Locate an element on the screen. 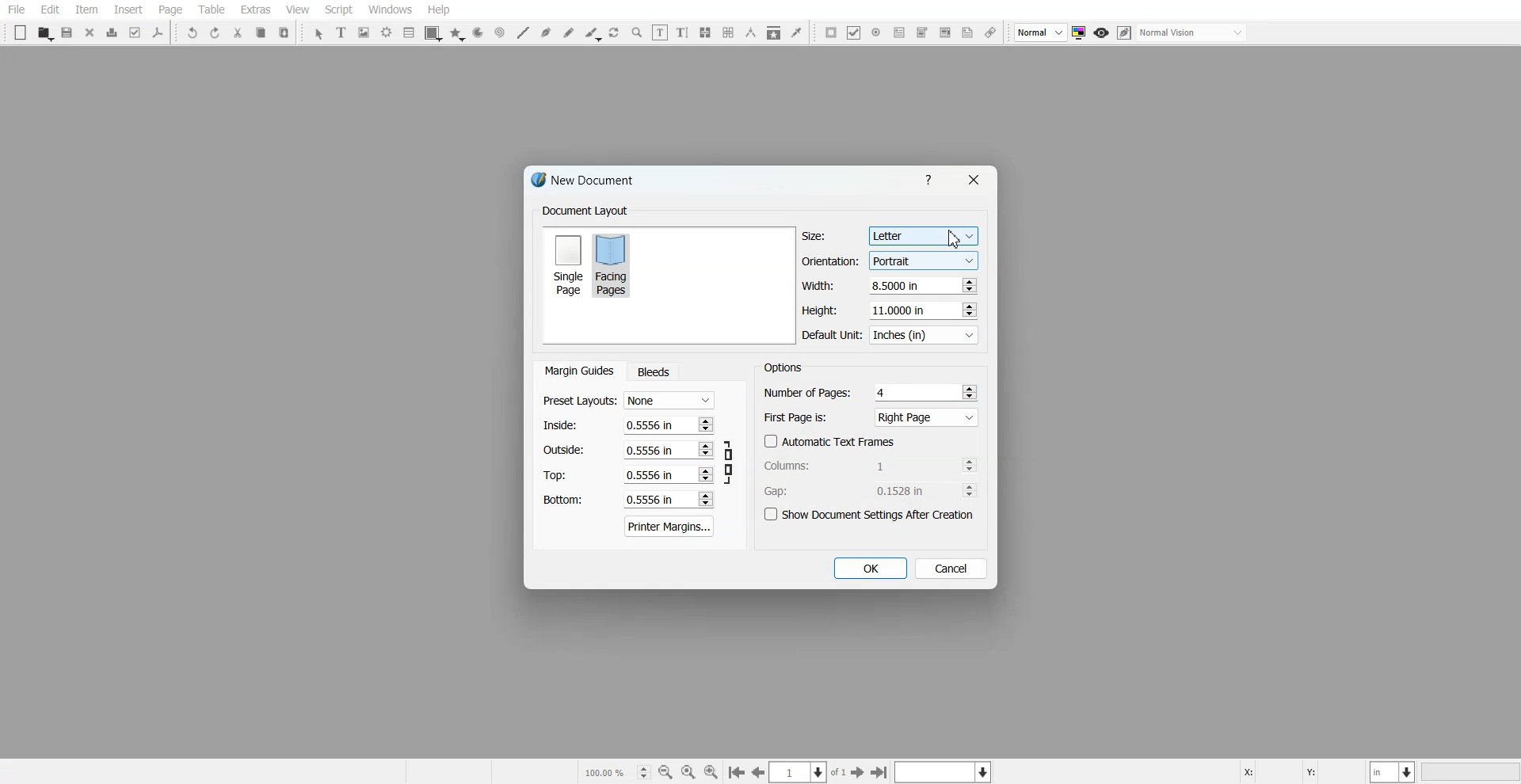  0.5556 in is located at coordinates (649, 424).